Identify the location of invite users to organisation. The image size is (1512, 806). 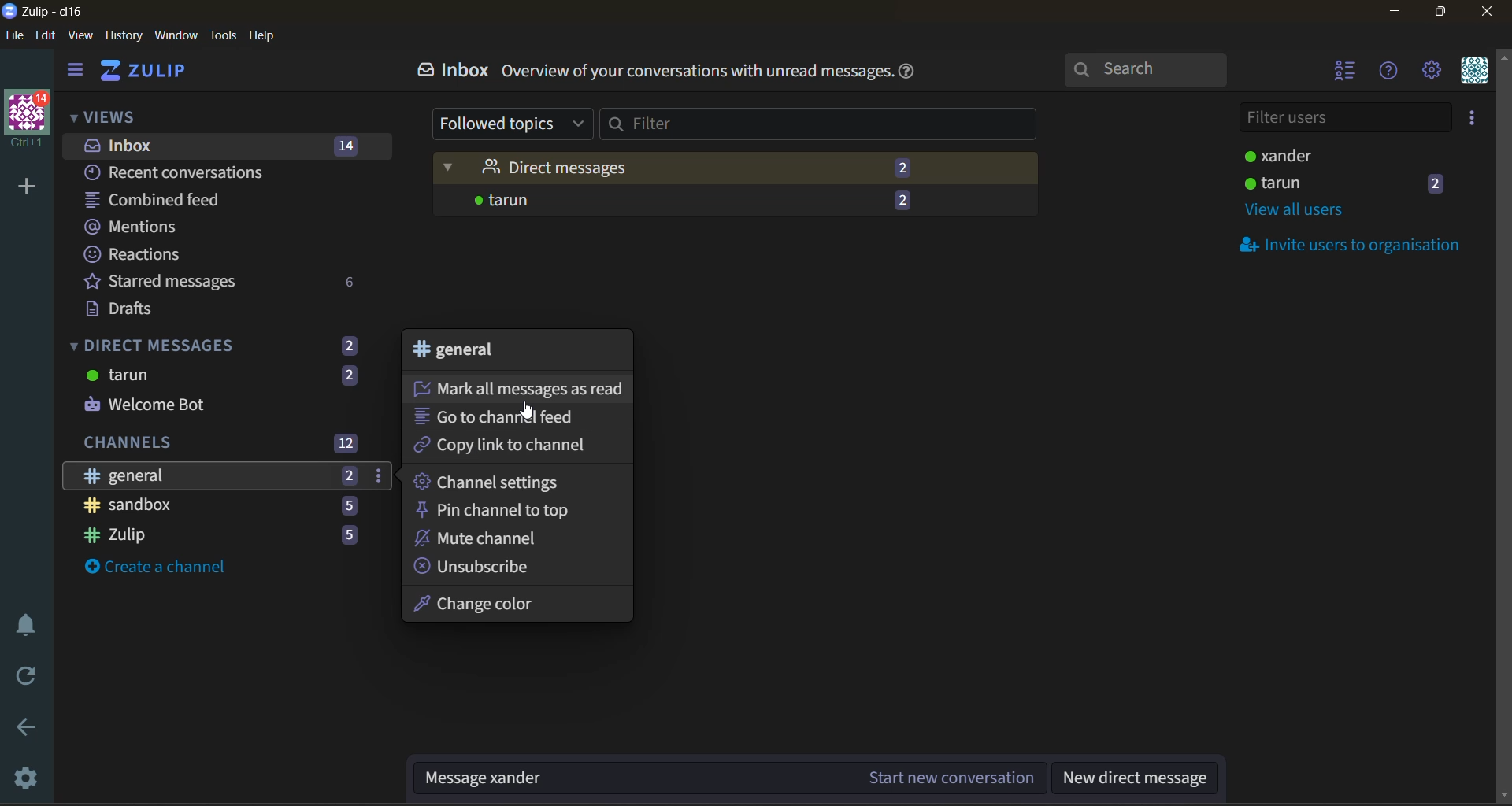
(1473, 120).